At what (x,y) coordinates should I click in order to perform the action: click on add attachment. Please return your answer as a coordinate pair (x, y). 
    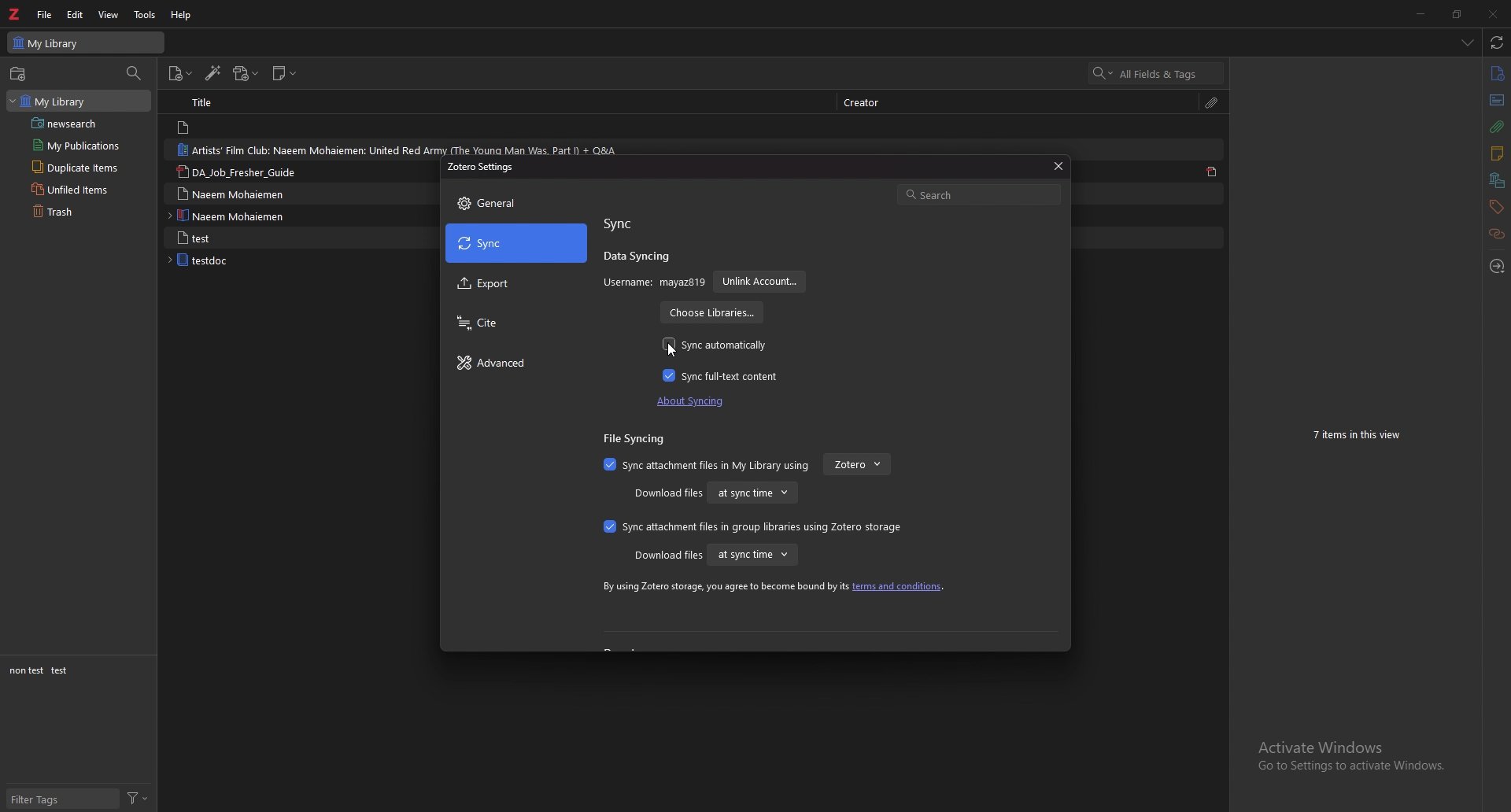
    Looking at the image, I should click on (246, 74).